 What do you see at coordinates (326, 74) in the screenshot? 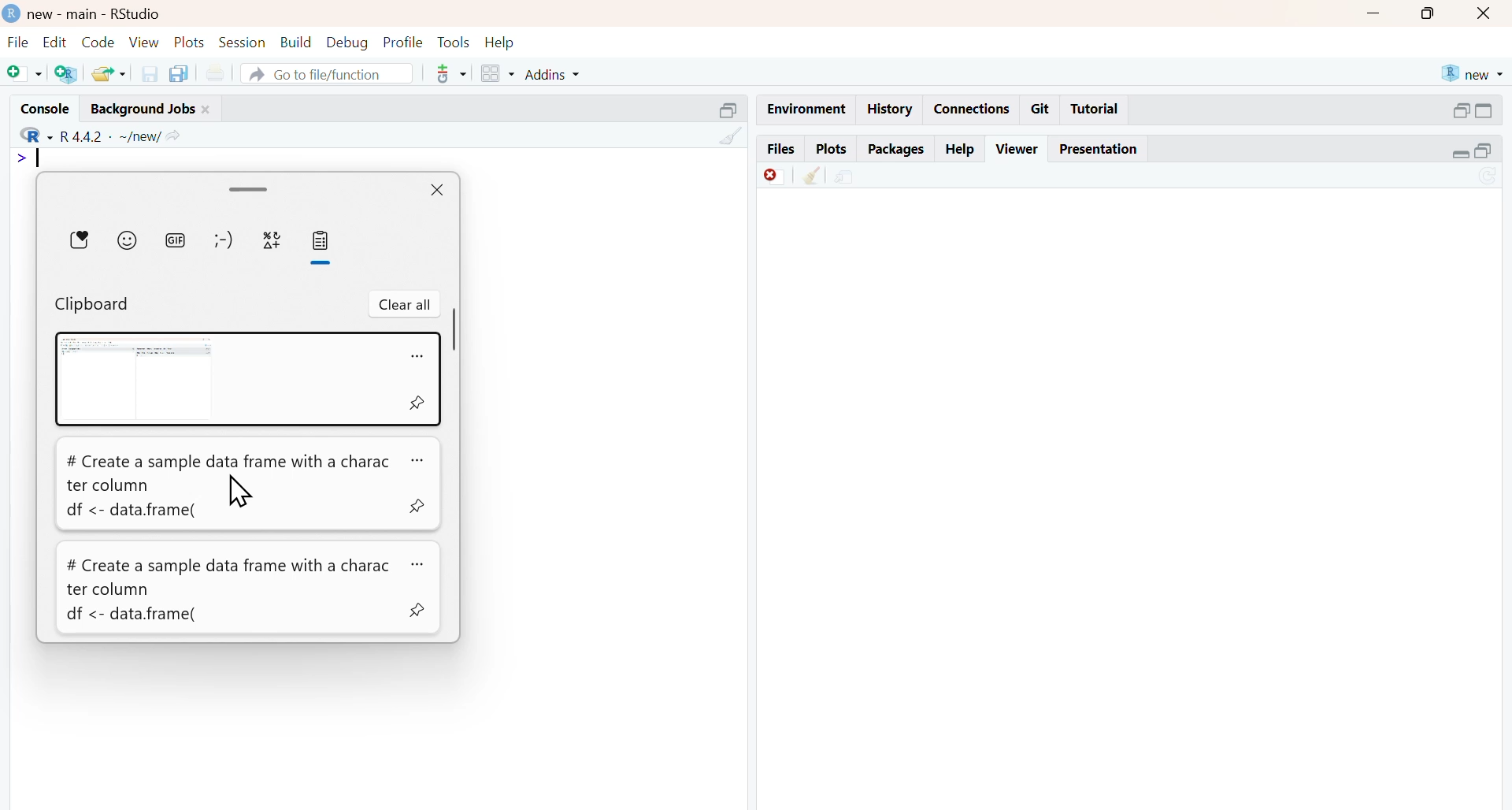
I see `go to file/function` at bounding box center [326, 74].